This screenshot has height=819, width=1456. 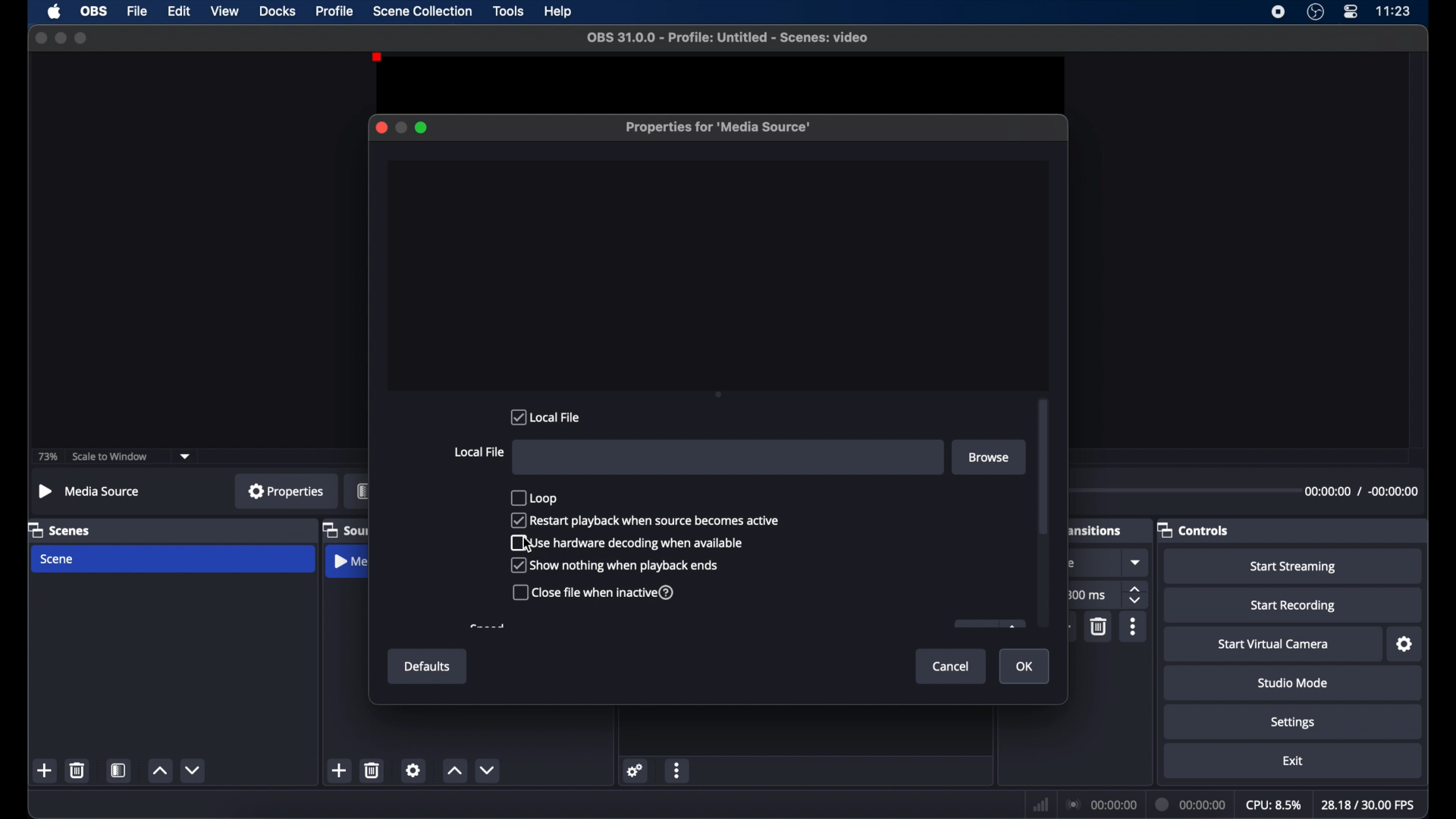 What do you see at coordinates (120, 770) in the screenshot?
I see `scene filters` at bounding box center [120, 770].